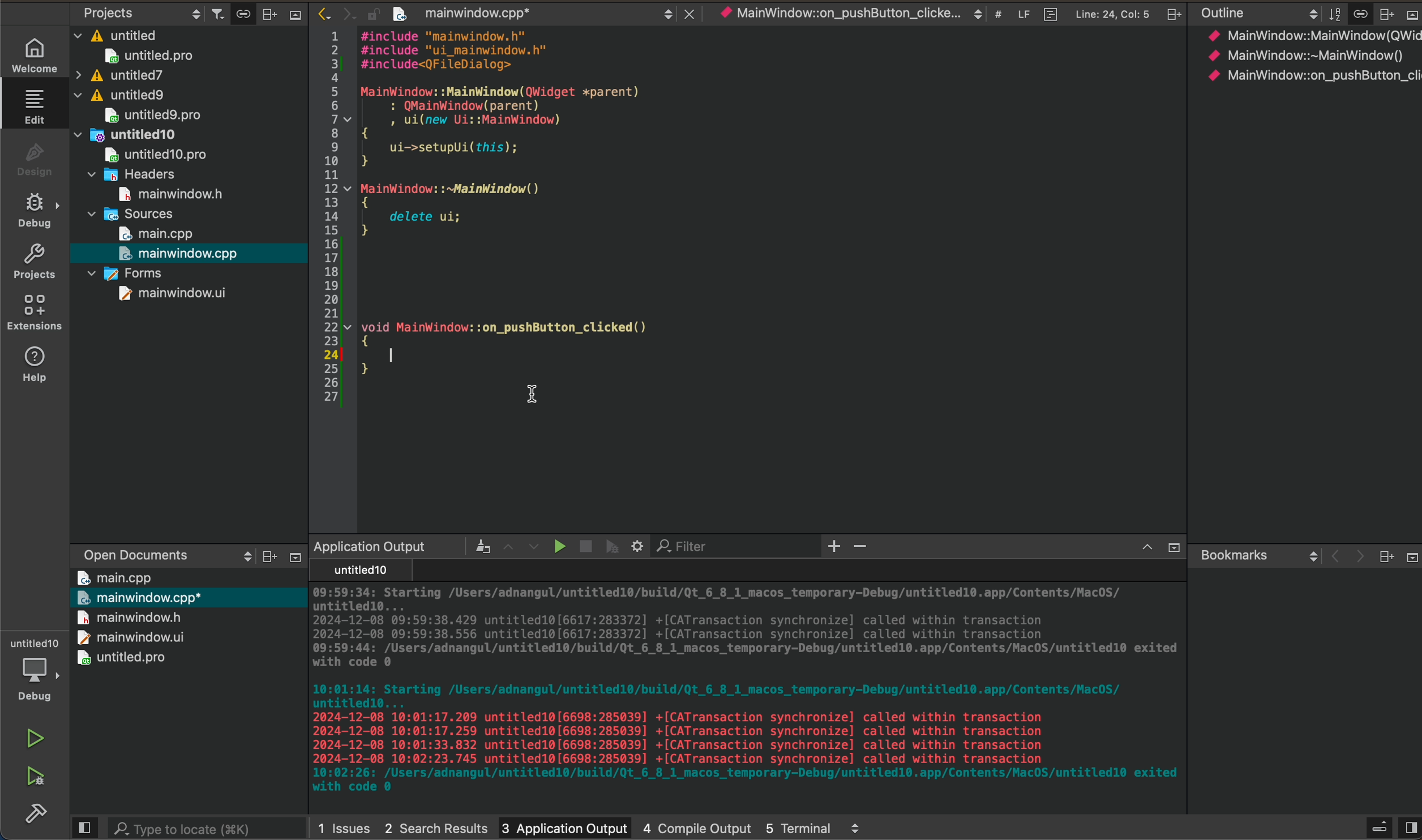 This screenshot has width=1422, height=840. Describe the element at coordinates (1304, 57) in the screenshot. I see `¢ MainWindow::~MainWindow()` at that location.